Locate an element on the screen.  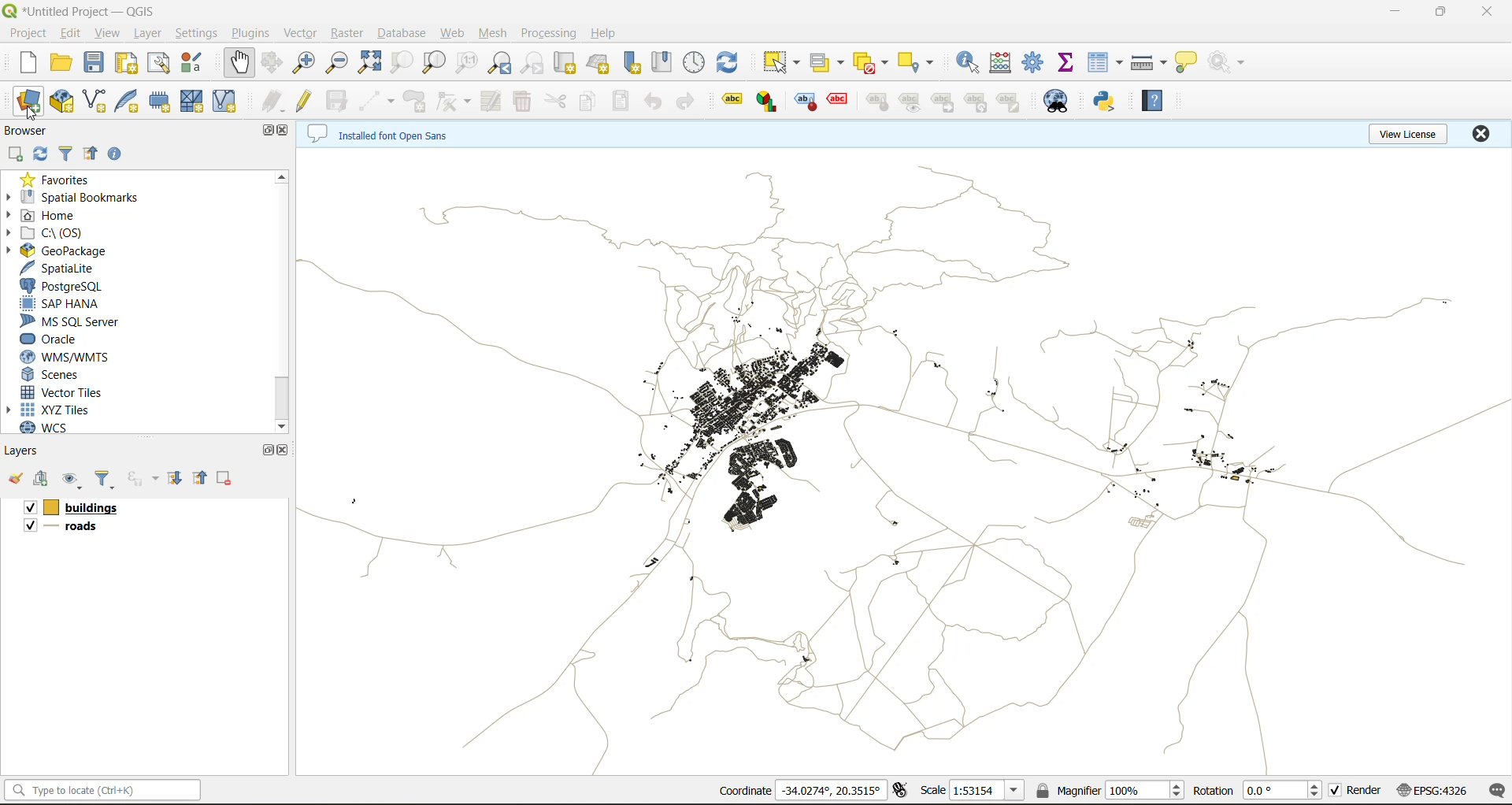
new spatial bookmark is located at coordinates (633, 63).